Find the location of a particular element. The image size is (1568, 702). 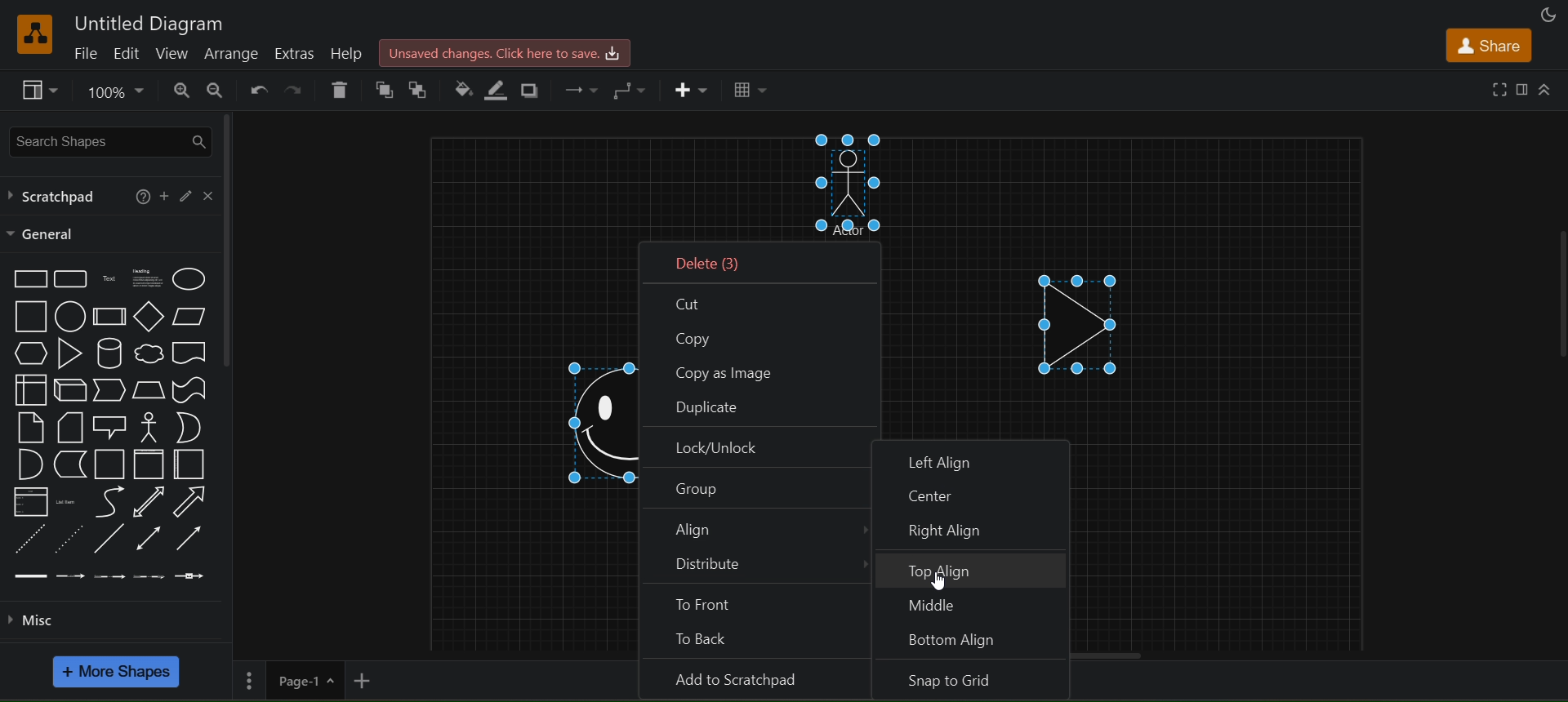

document is located at coordinates (189, 353).